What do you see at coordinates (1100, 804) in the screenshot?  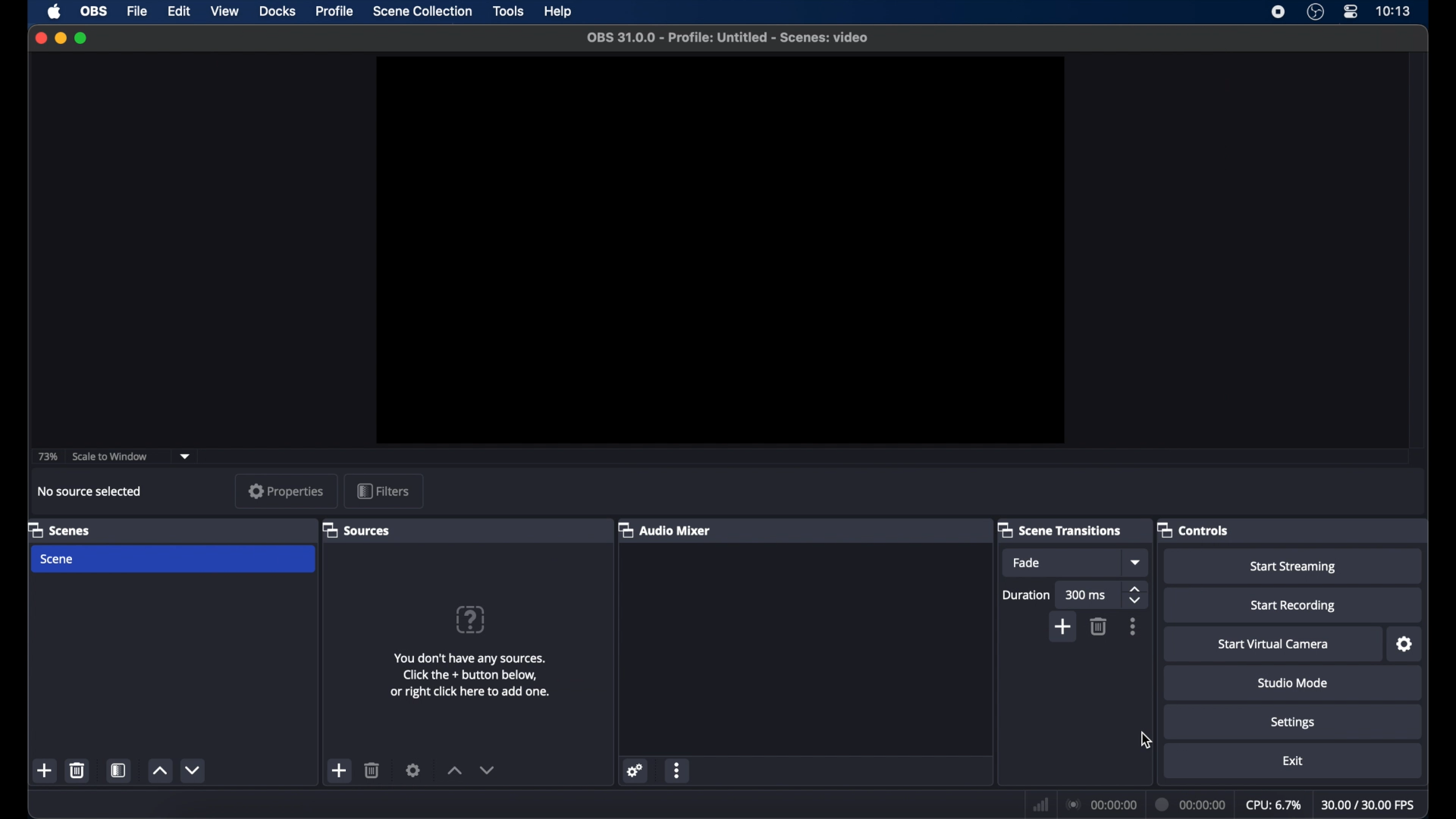 I see `connection` at bounding box center [1100, 804].